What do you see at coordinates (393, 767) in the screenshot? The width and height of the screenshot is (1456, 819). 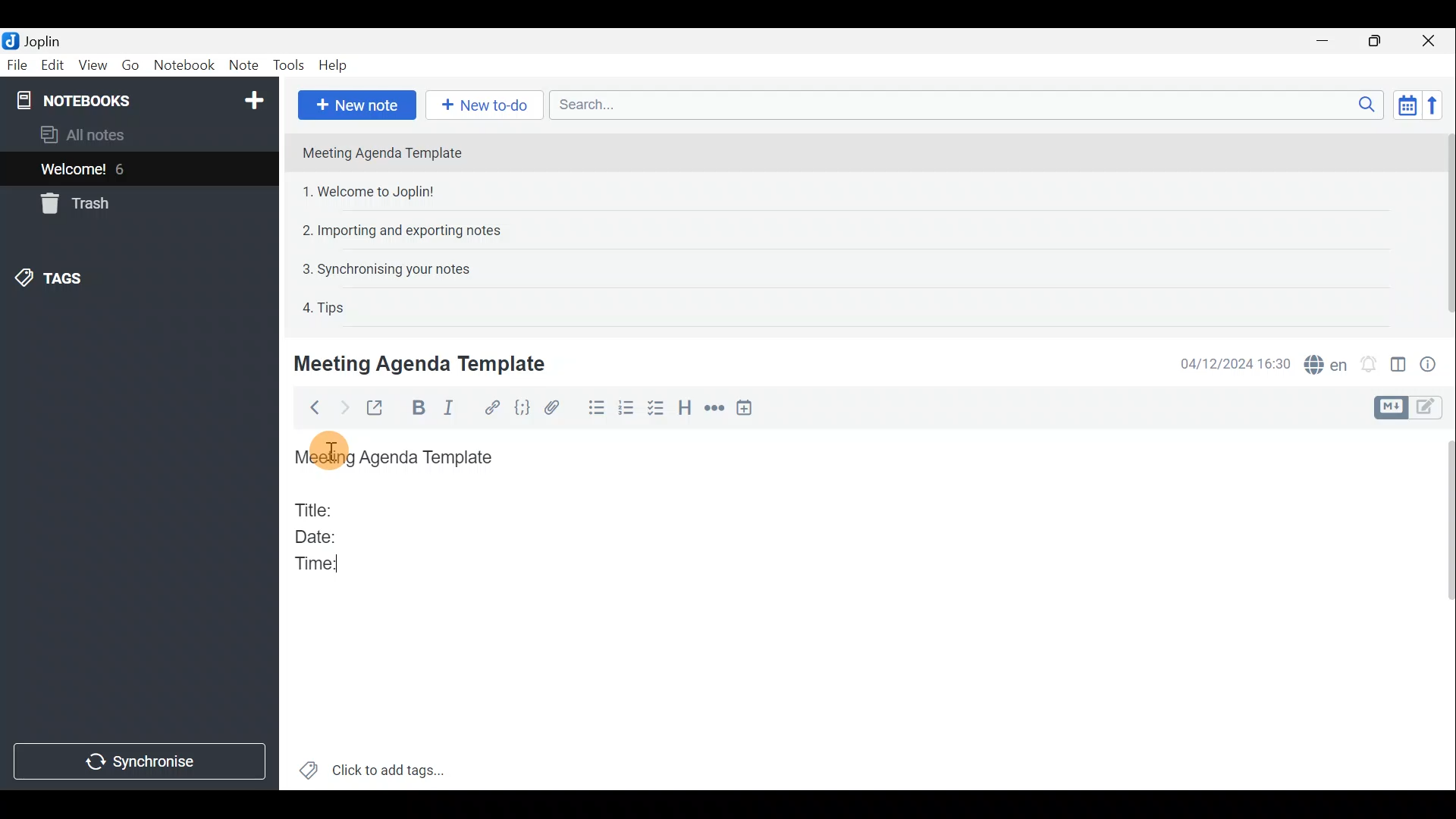 I see `Click to add tags` at bounding box center [393, 767].